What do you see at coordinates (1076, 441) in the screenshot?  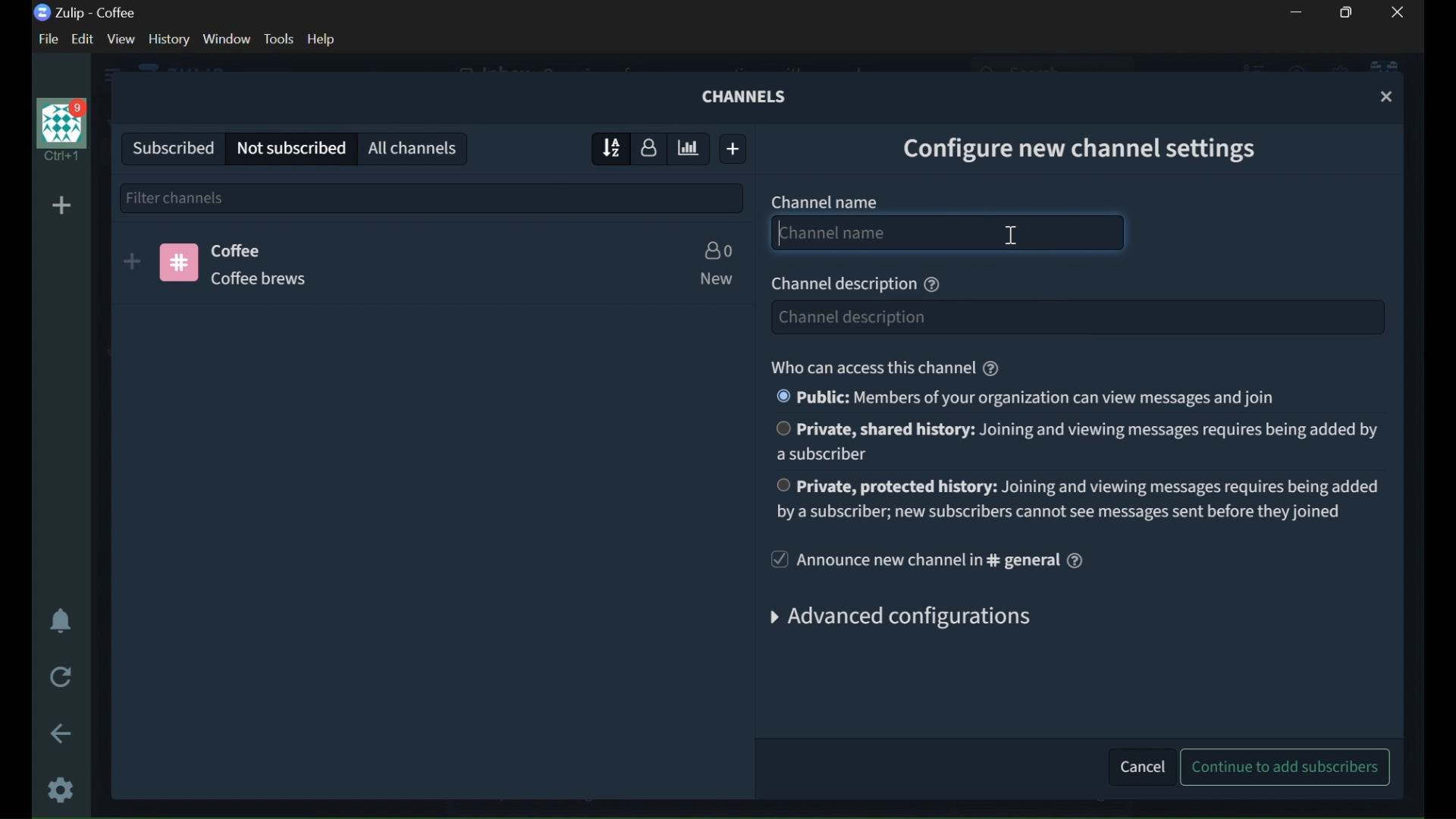 I see `Private shared history: joining and viewing messages requires being added by a subscriber` at bounding box center [1076, 441].